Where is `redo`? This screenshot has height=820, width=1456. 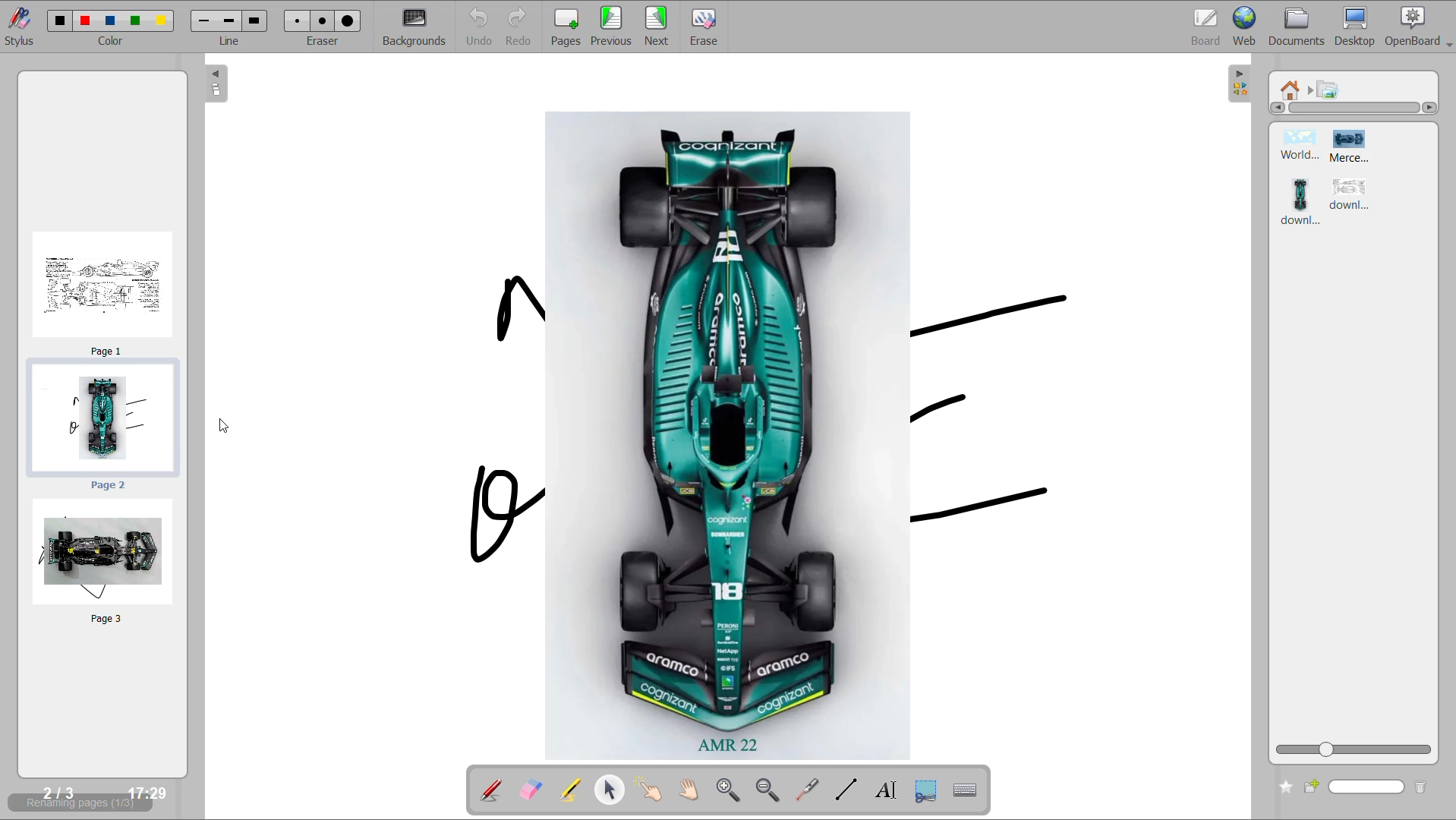 redo is located at coordinates (522, 27).